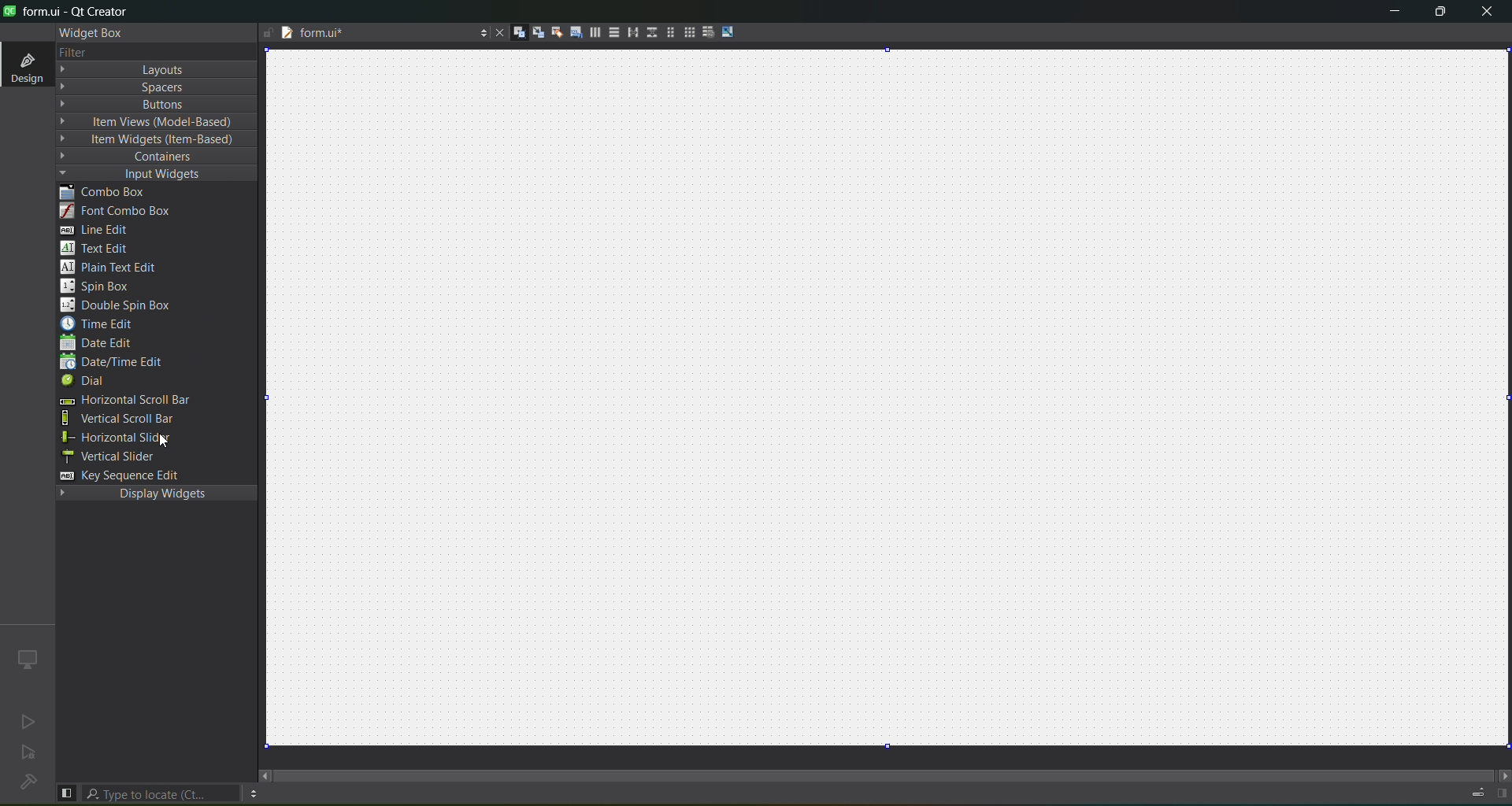 Image resolution: width=1512 pixels, height=806 pixels. Describe the element at coordinates (161, 794) in the screenshot. I see `search` at that location.